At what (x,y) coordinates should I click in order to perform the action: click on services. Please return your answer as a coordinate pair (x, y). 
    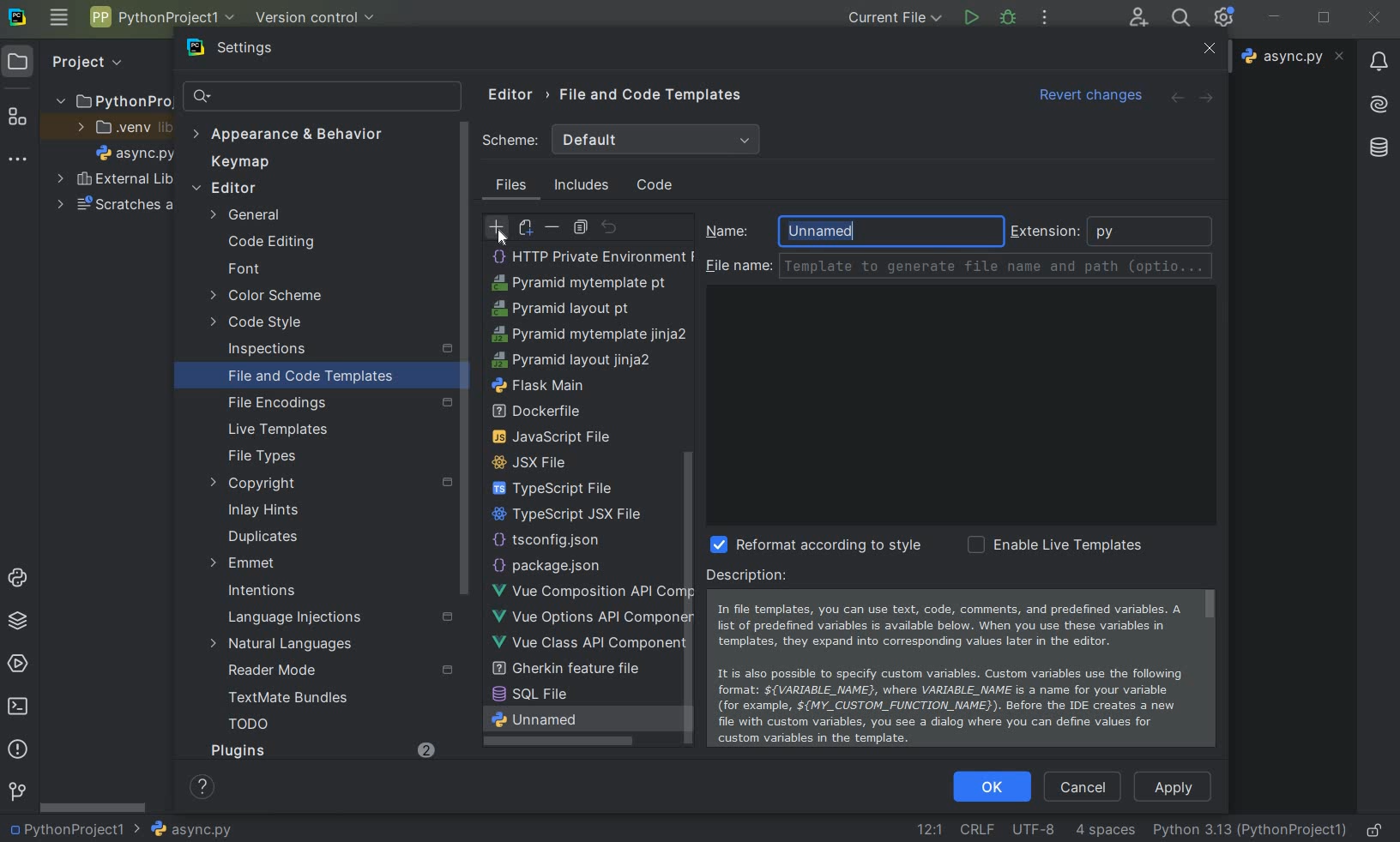
    Looking at the image, I should click on (19, 663).